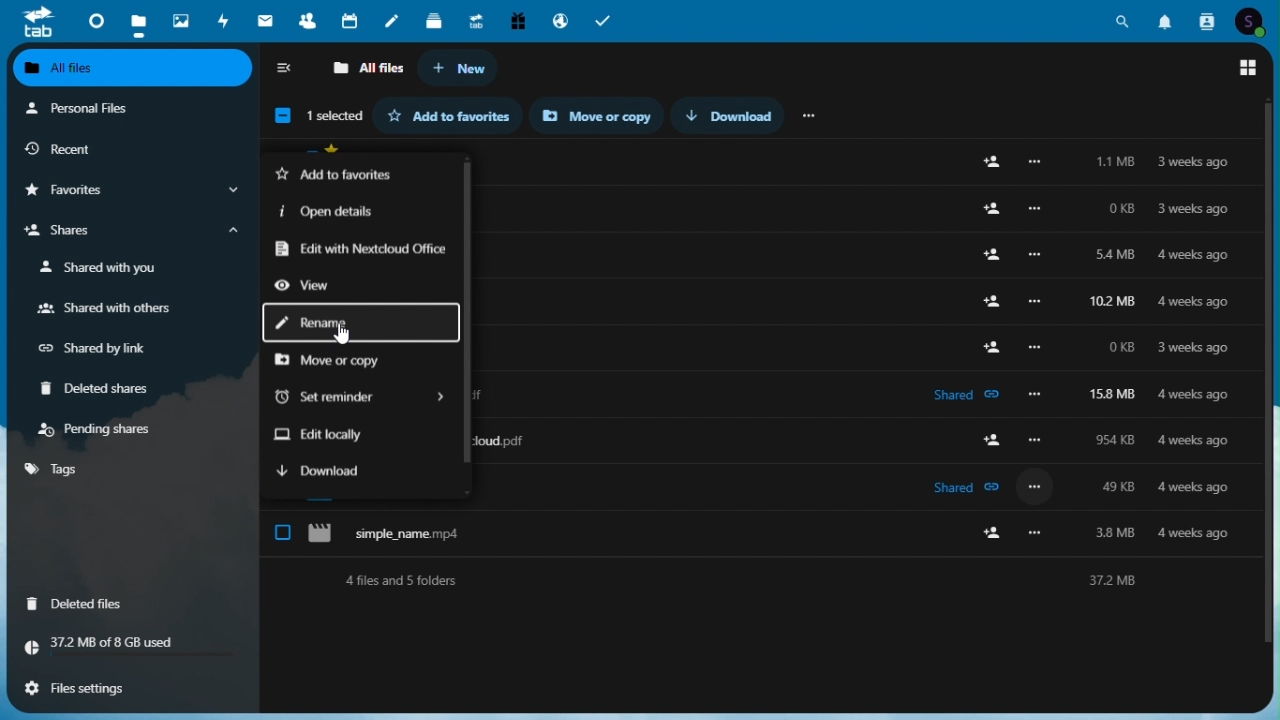 The image size is (1280, 720). Describe the element at coordinates (559, 20) in the screenshot. I see `email hosting` at that location.